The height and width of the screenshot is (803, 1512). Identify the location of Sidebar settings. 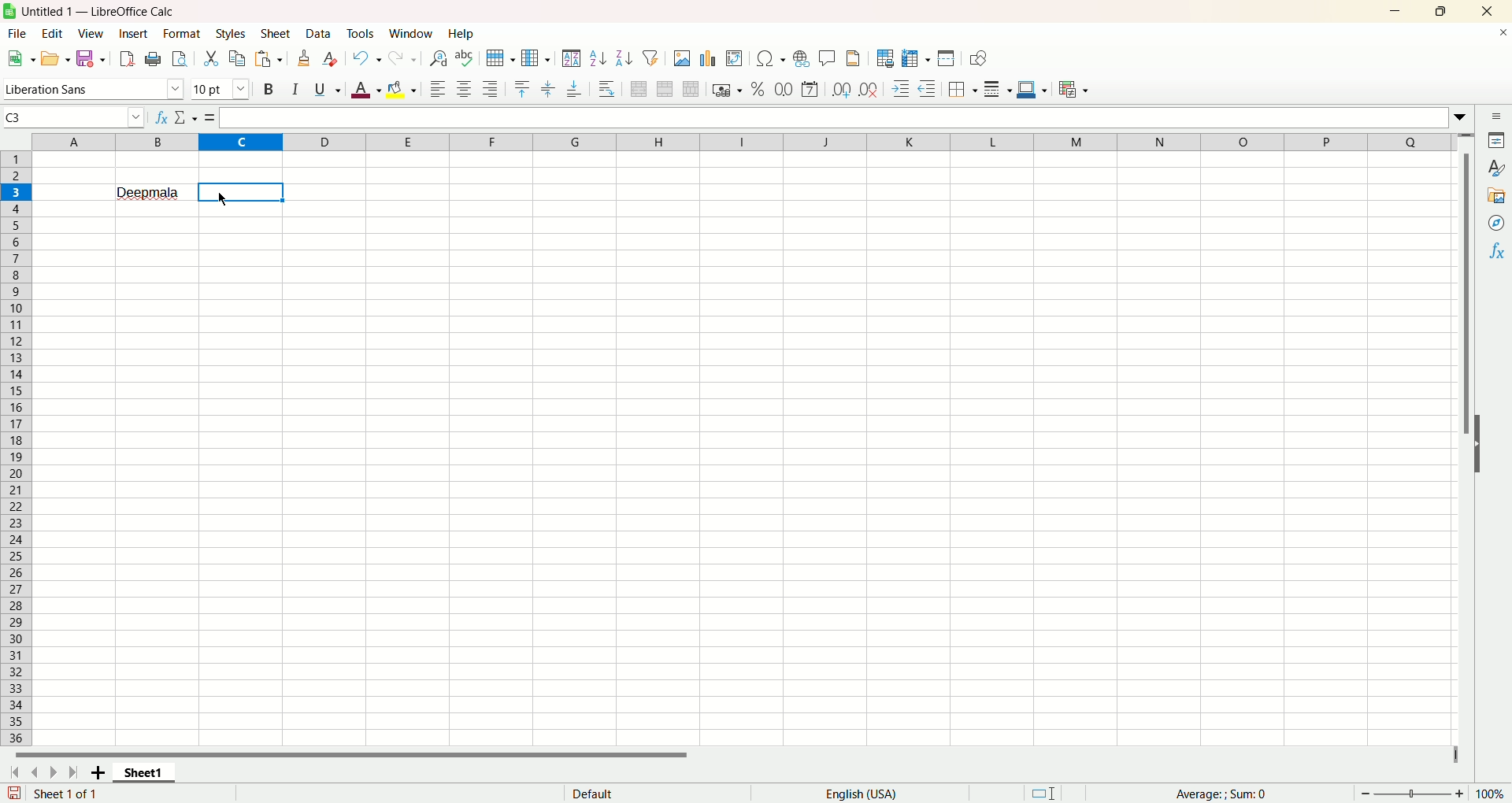
(1497, 116).